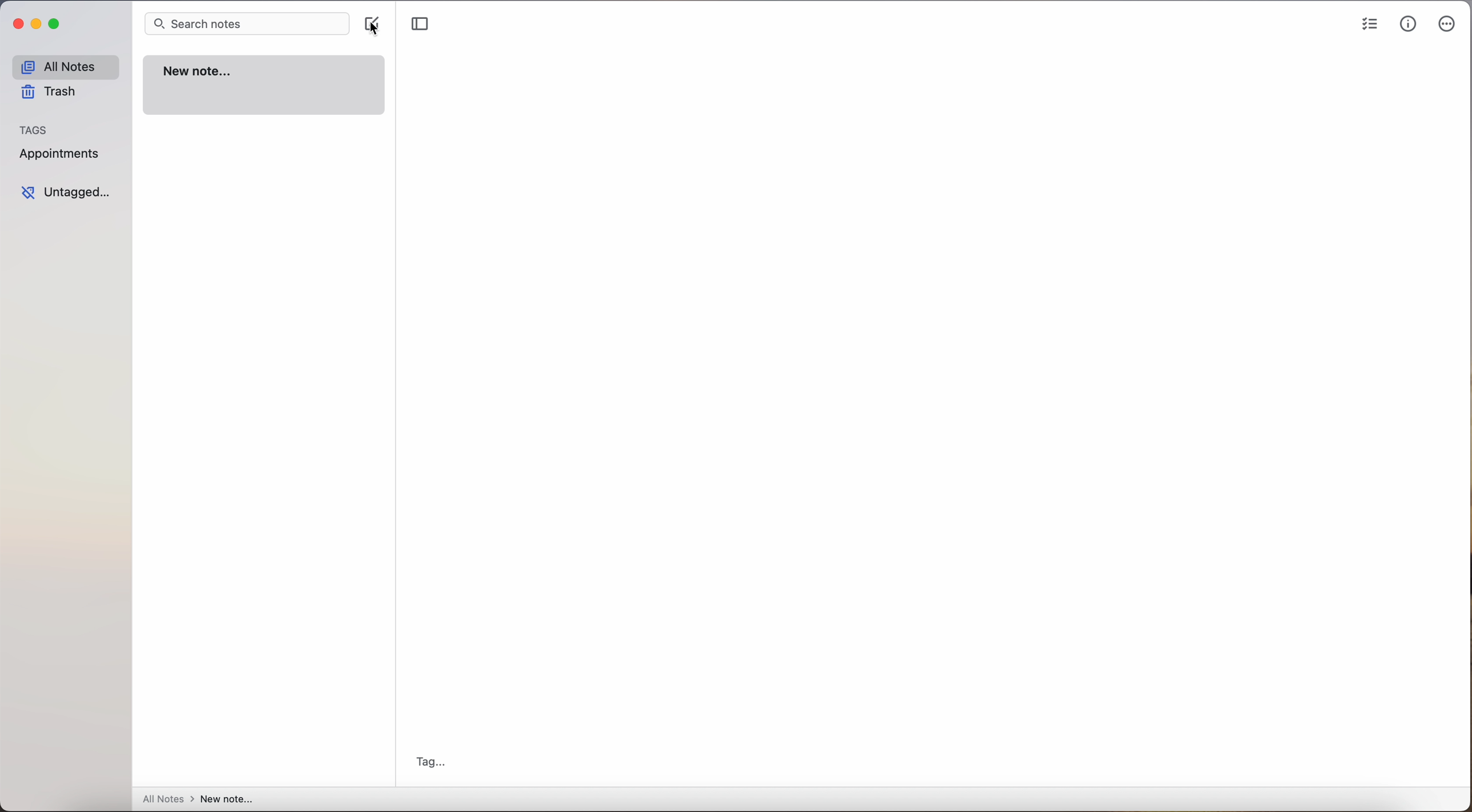  What do you see at coordinates (1407, 24) in the screenshot?
I see `metrics` at bounding box center [1407, 24].